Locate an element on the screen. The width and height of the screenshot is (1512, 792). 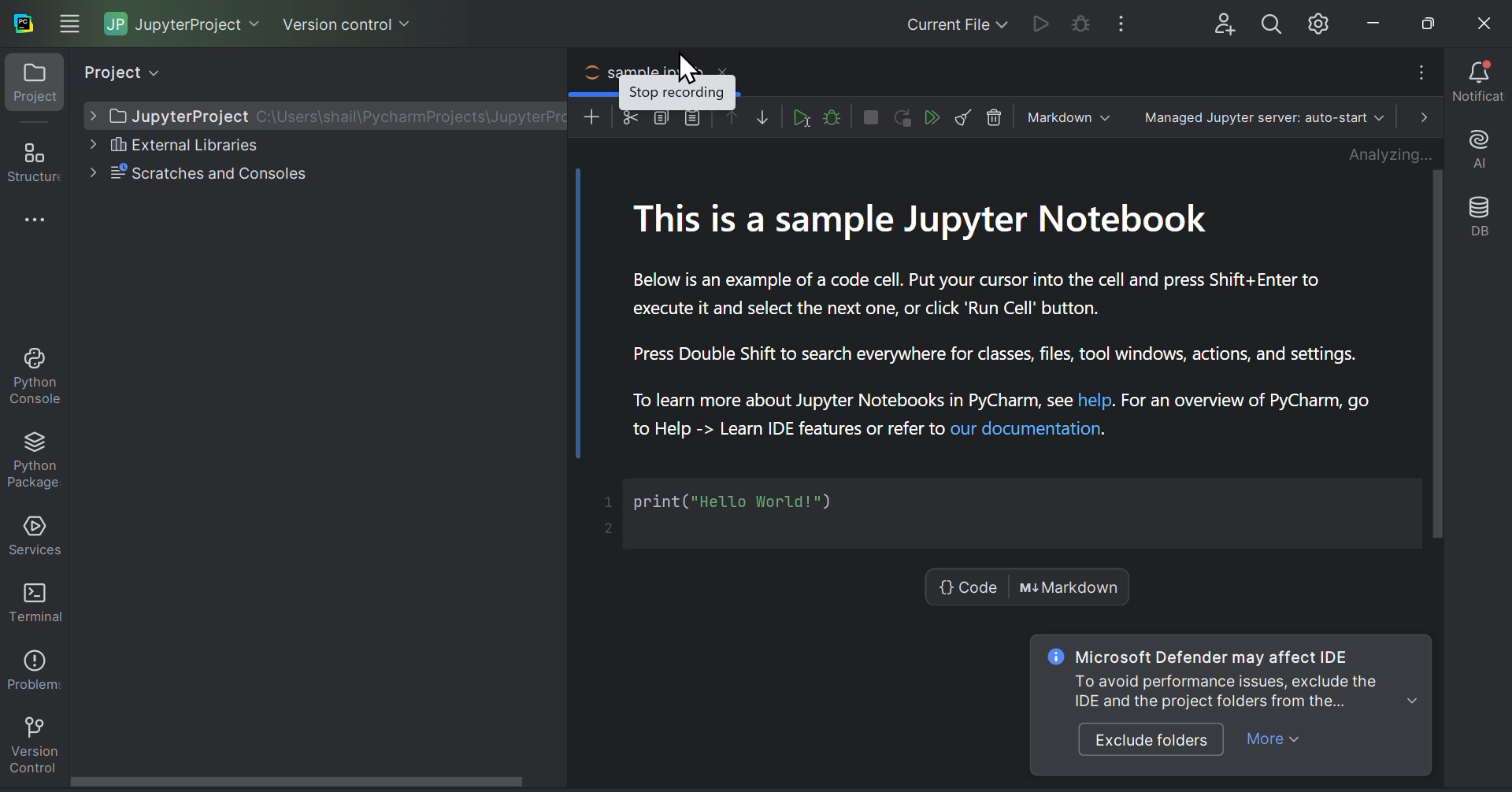
restart kernel is located at coordinates (903, 117).